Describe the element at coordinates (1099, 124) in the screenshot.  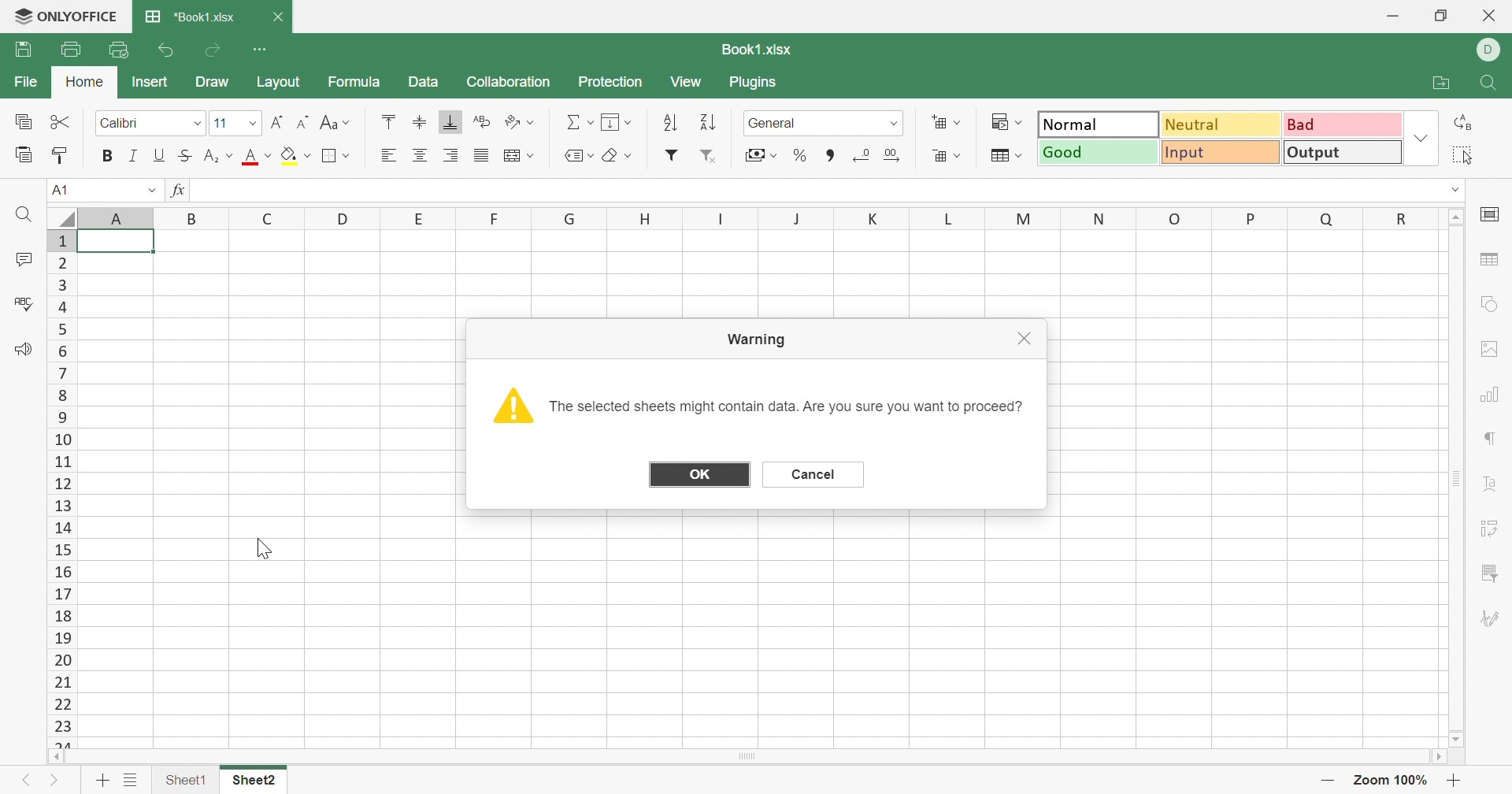
I see `Normal` at that location.